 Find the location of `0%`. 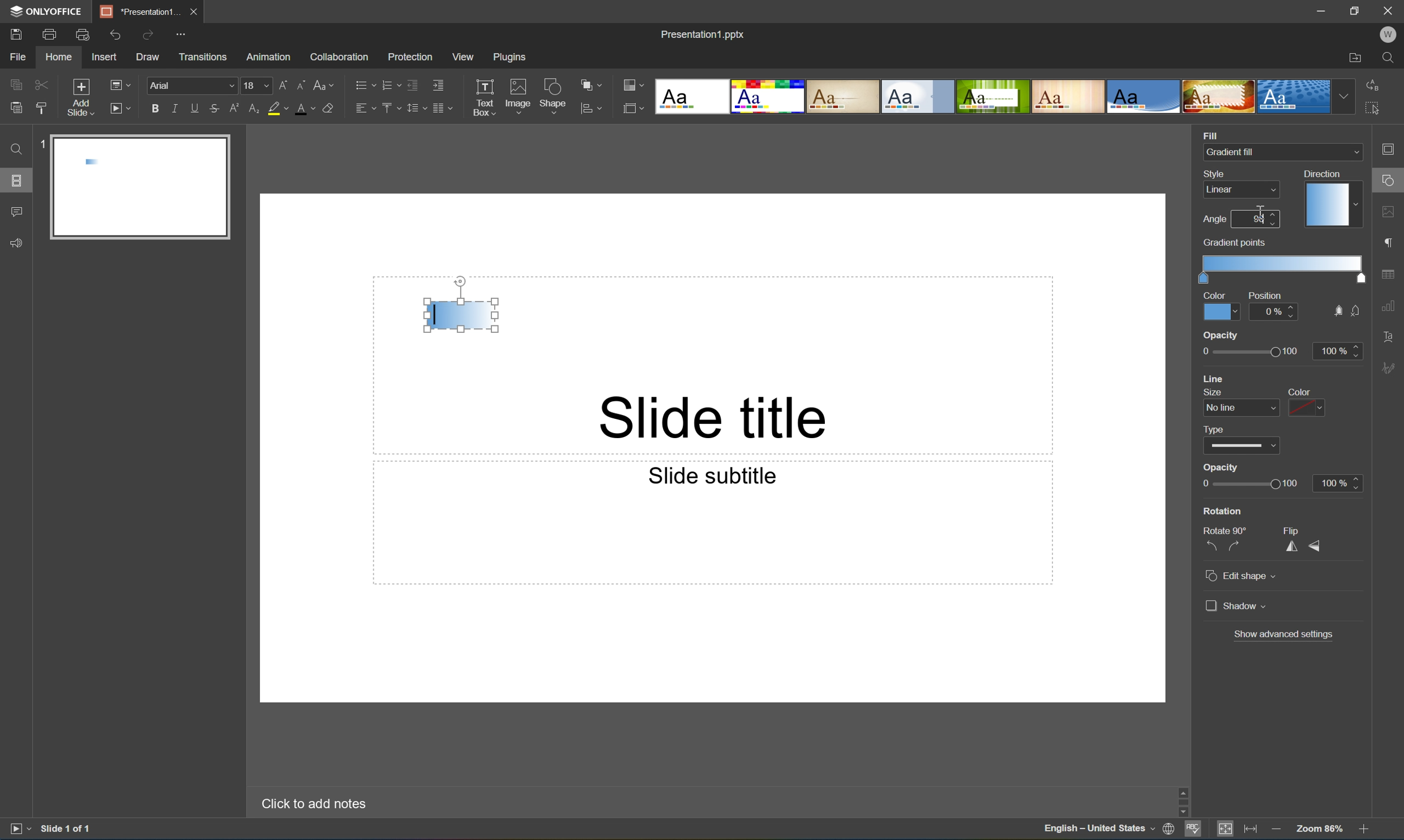

0% is located at coordinates (1275, 311).